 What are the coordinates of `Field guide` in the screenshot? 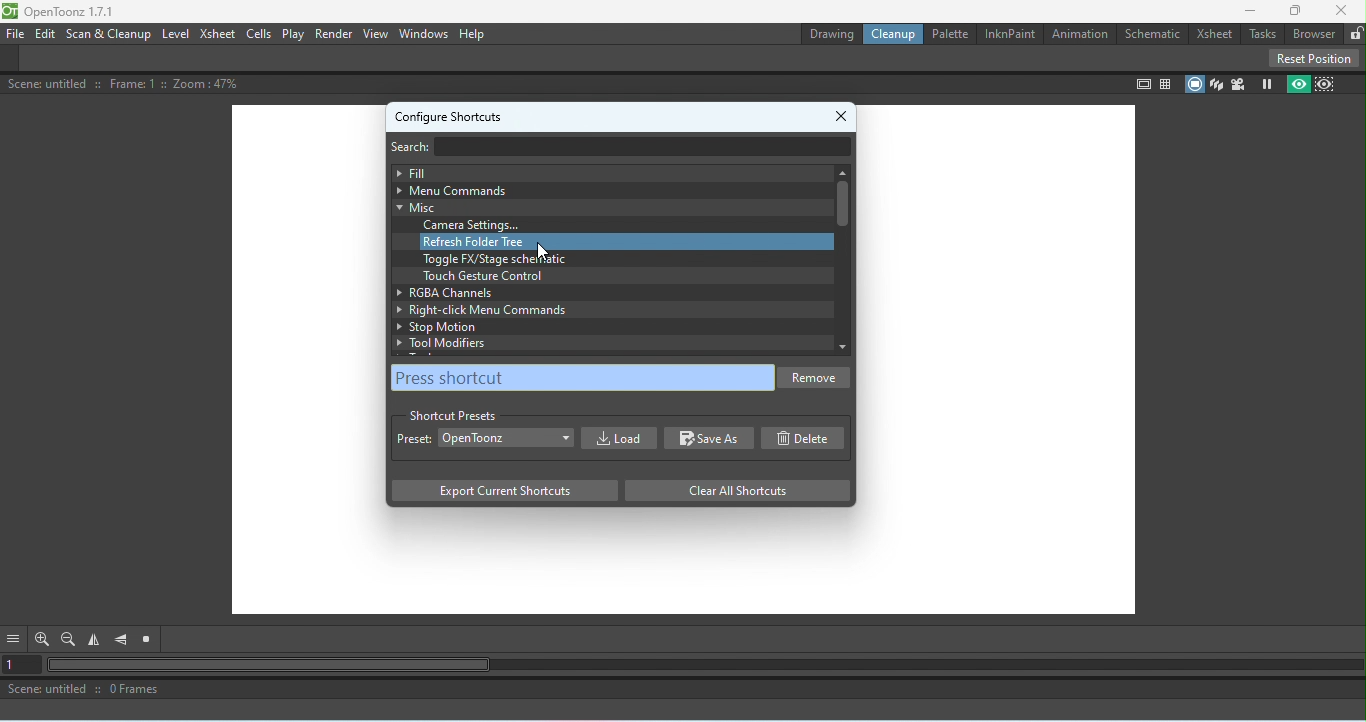 It's located at (1166, 83).